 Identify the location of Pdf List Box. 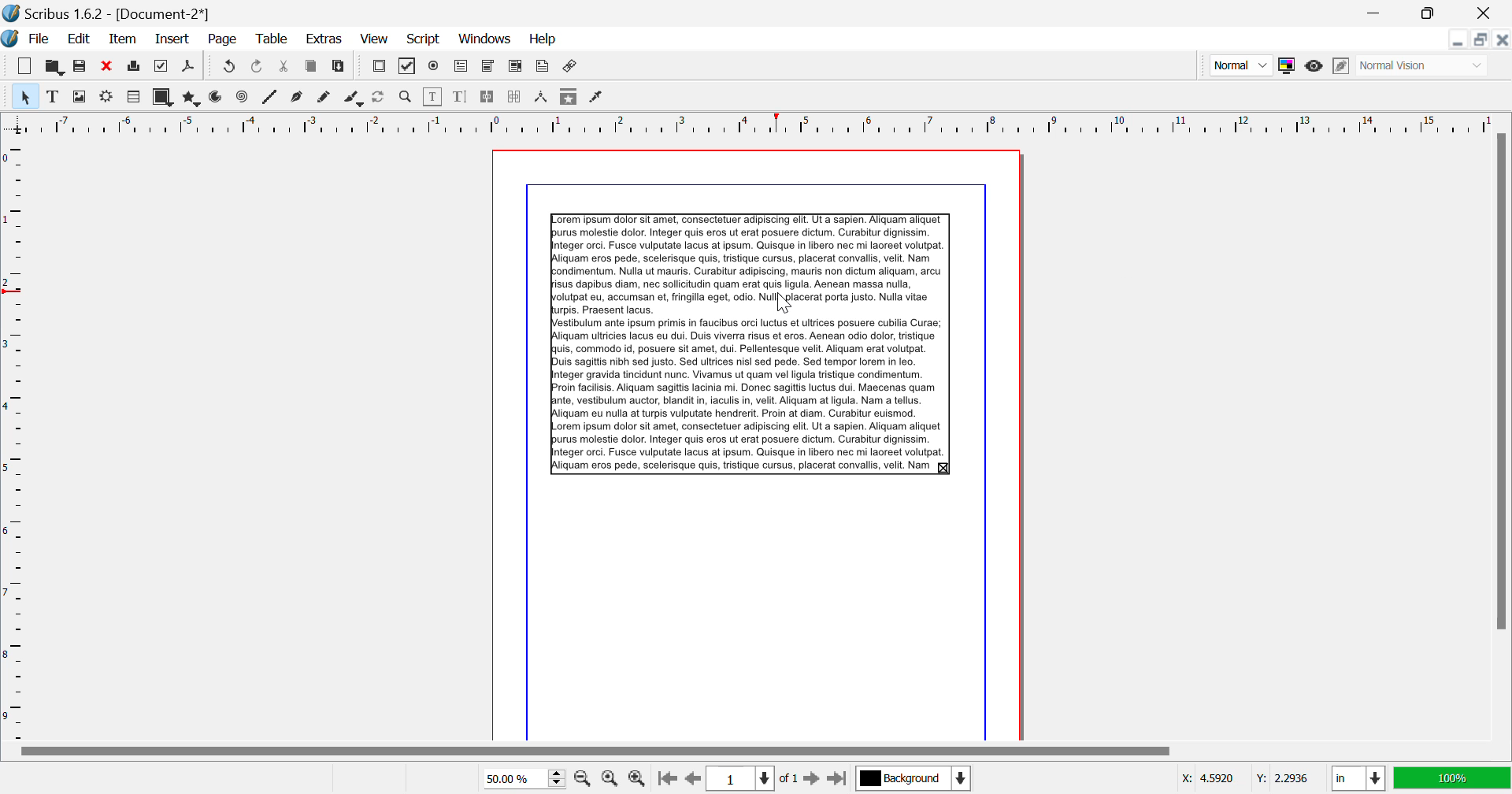
(515, 68).